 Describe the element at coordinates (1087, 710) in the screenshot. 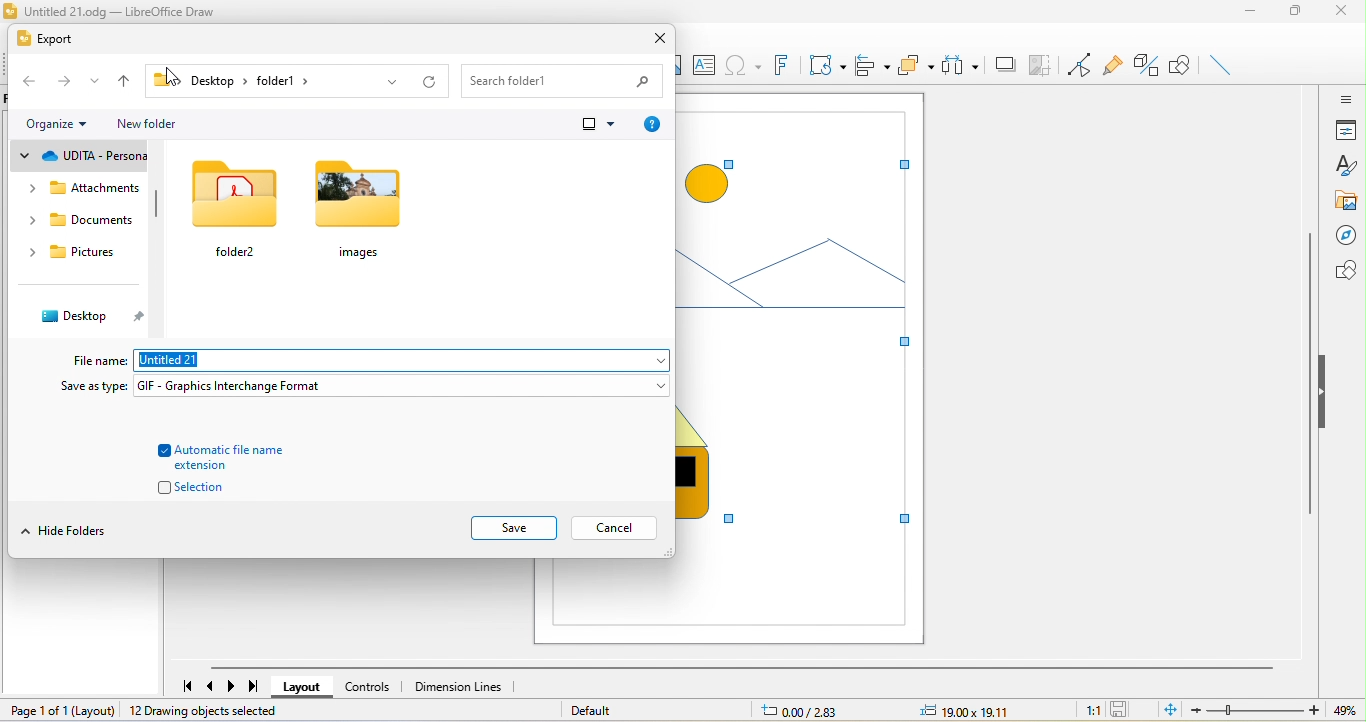

I see `1:1` at that location.